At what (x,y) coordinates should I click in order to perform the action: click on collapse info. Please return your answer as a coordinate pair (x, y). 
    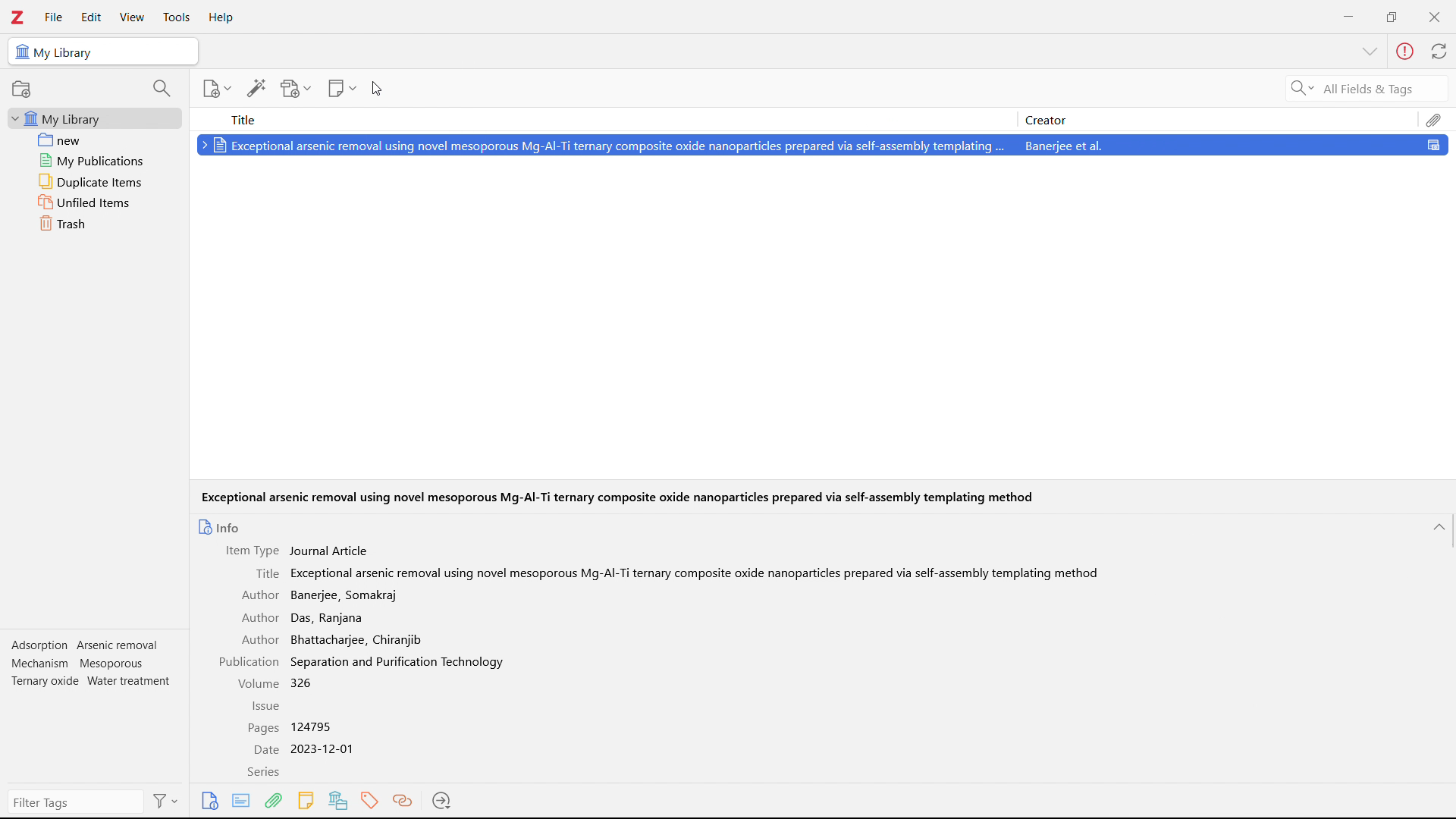
    Looking at the image, I should click on (1372, 52).